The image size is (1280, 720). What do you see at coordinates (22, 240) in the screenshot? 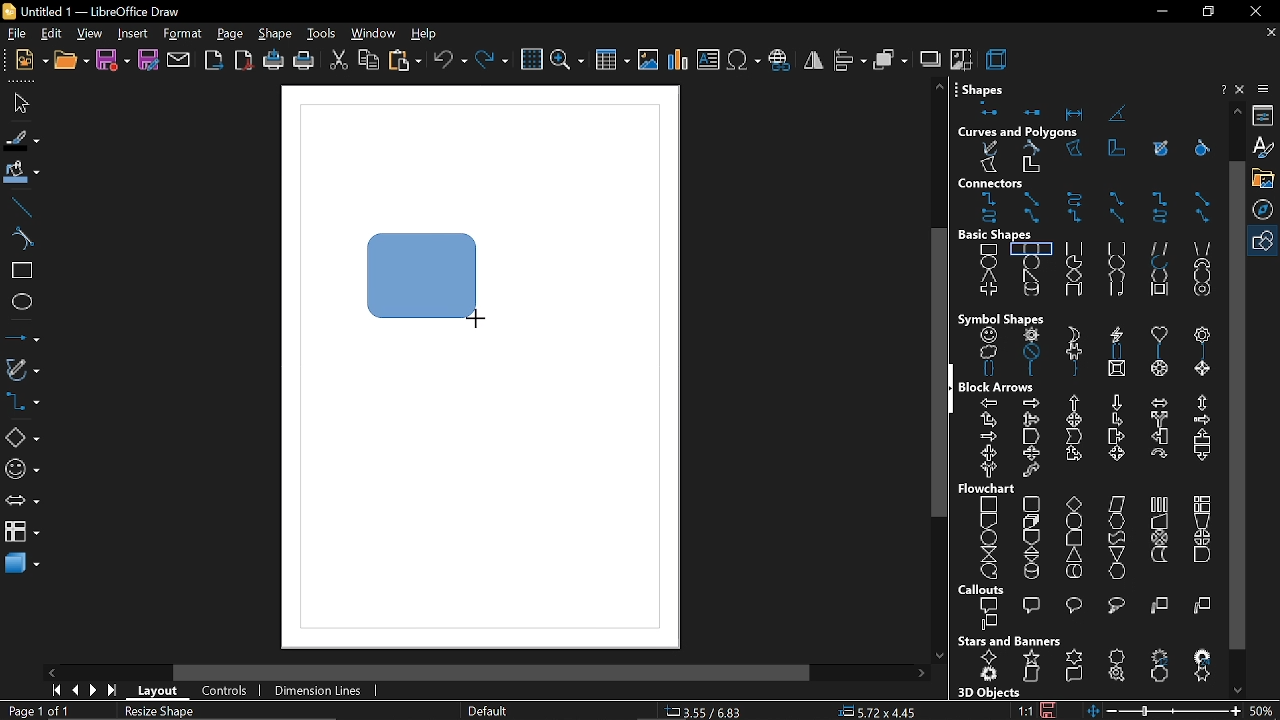
I see `curve` at bounding box center [22, 240].